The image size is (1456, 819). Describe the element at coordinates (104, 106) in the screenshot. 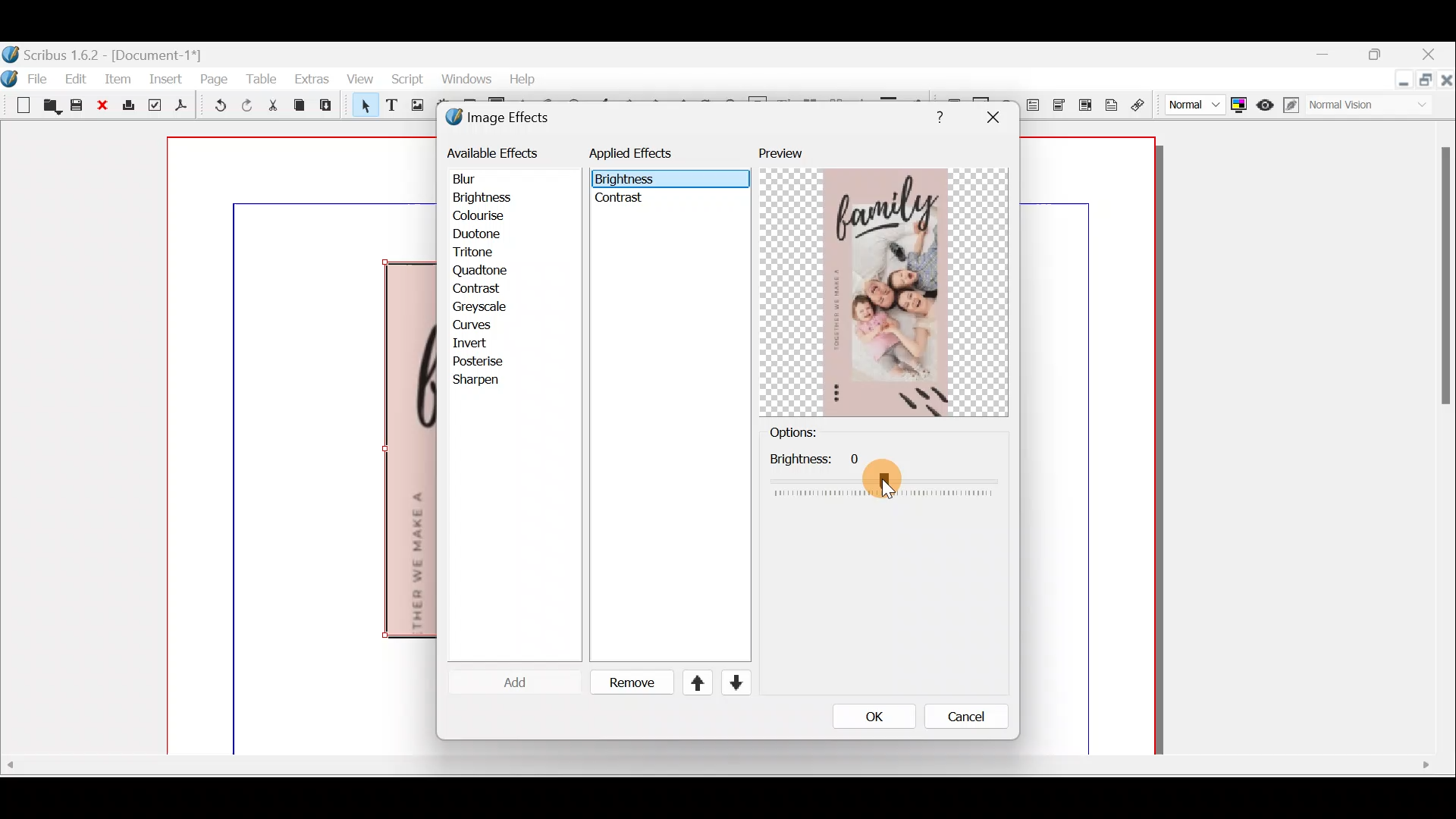

I see `Close` at that location.